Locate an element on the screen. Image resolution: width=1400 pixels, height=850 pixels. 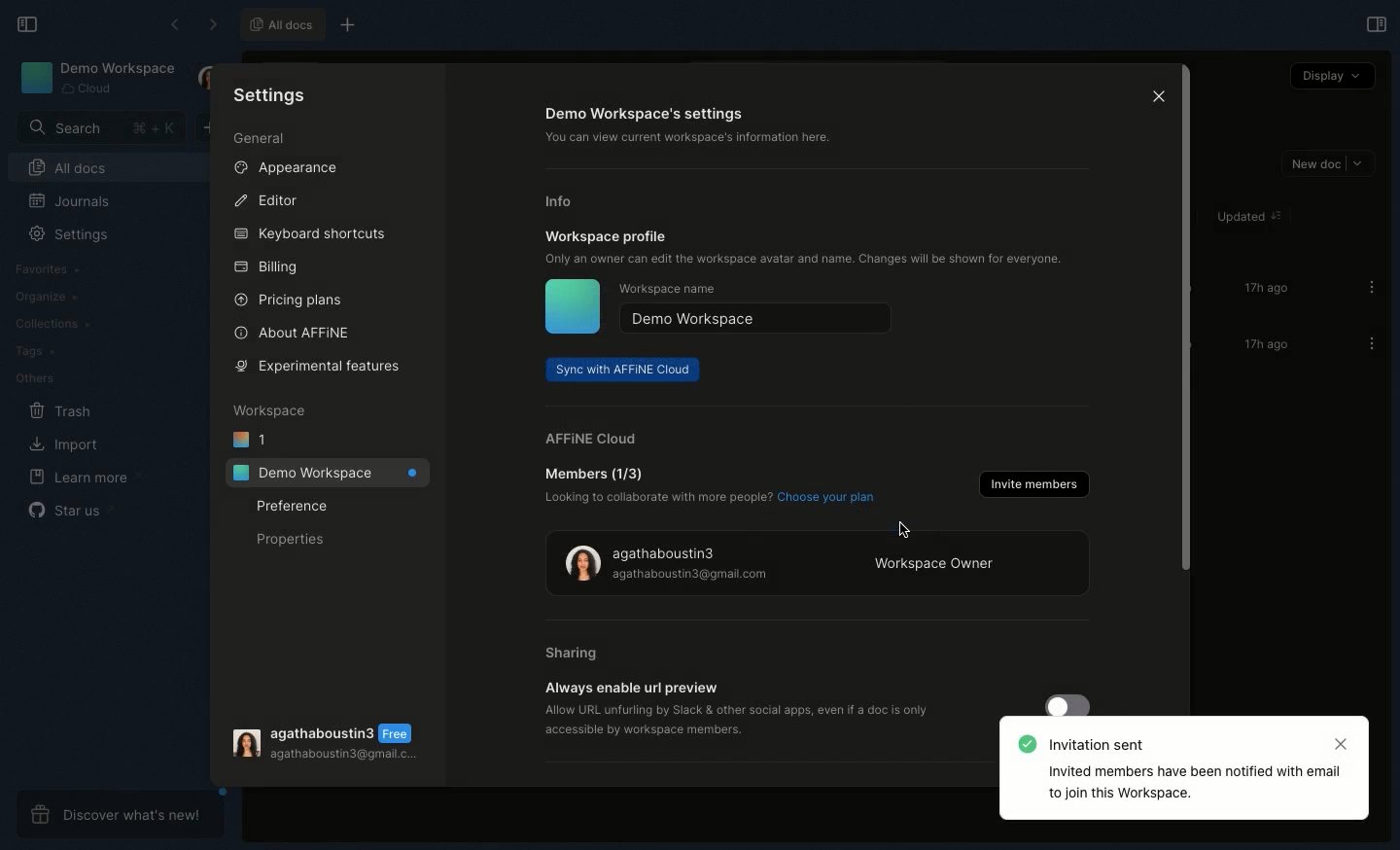
cursor is located at coordinates (907, 529).